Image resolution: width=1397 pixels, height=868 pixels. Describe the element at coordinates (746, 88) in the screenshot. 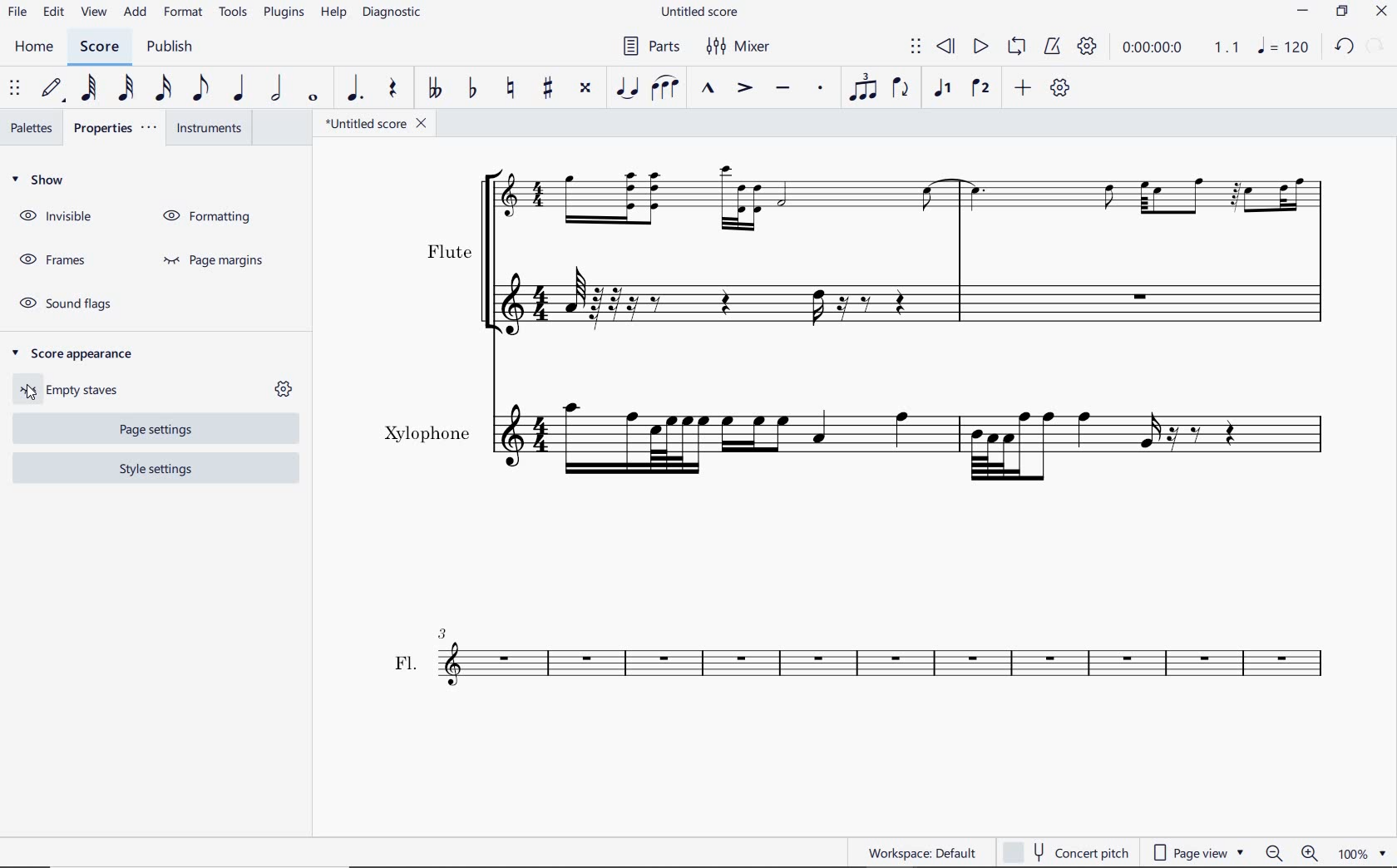

I see `ACCENT` at that location.